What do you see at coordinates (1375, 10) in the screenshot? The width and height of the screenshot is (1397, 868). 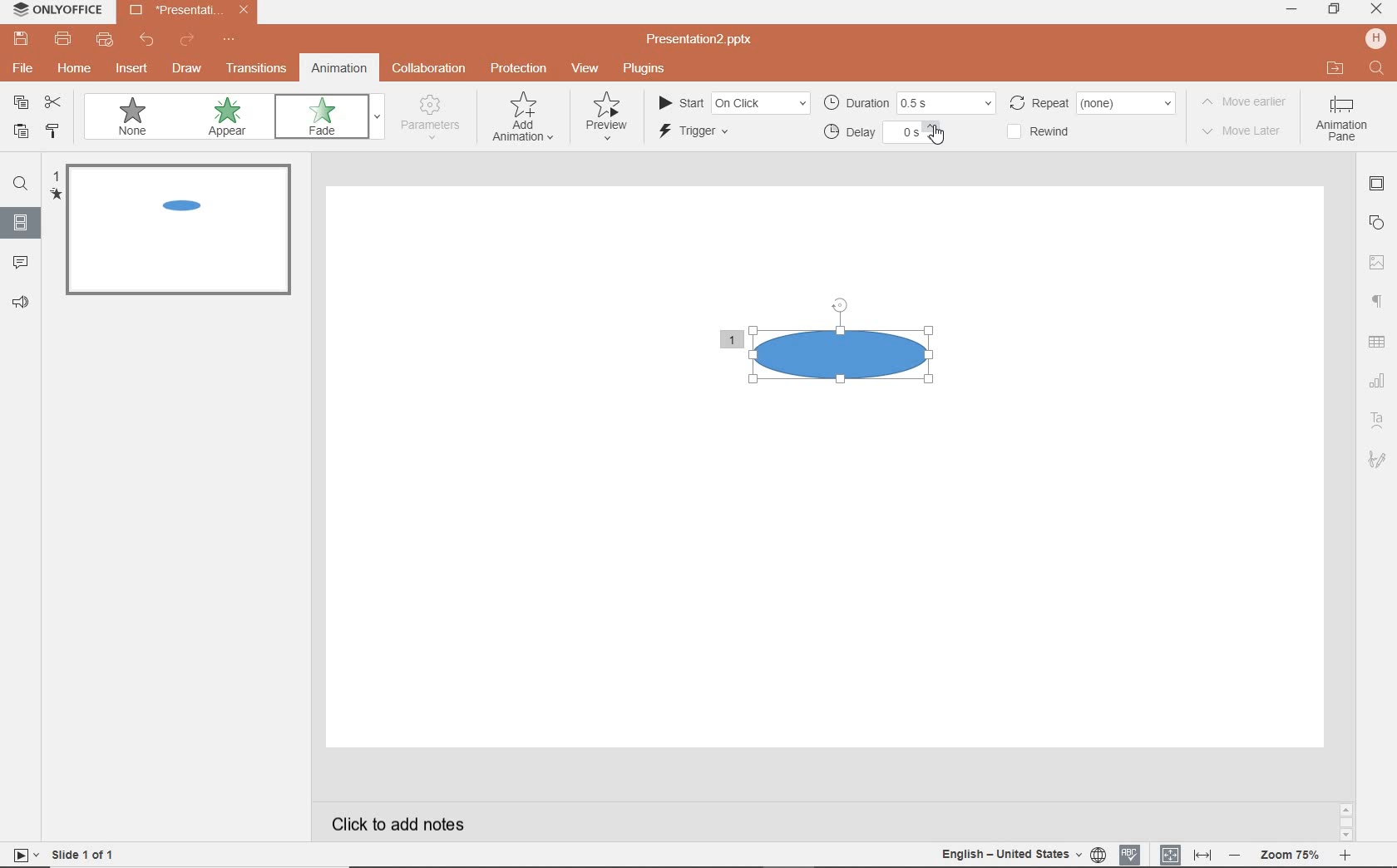 I see `CLOSE` at bounding box center [1375, 10].